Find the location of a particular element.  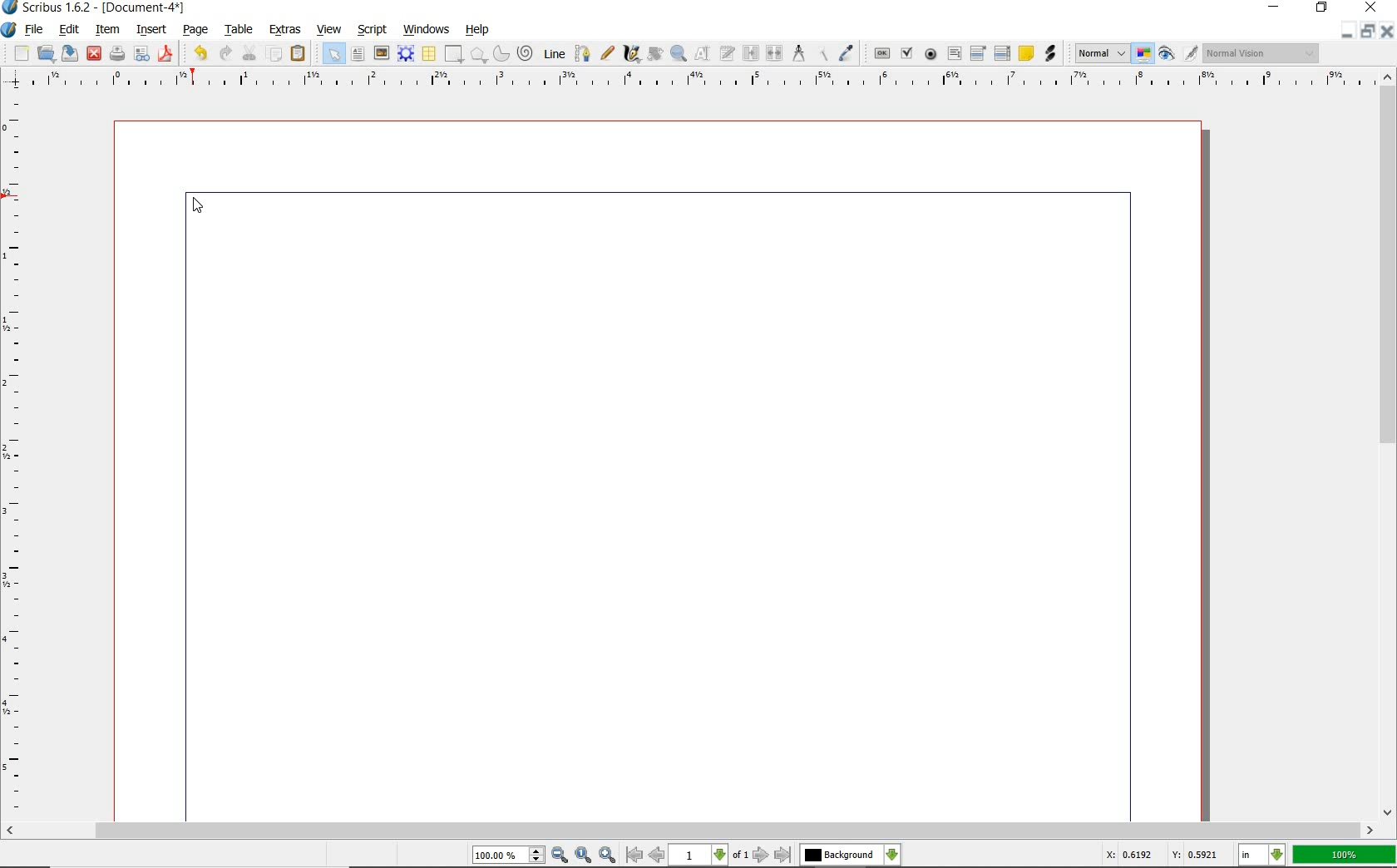

preflight verifier is located at coordinates (142, 54).